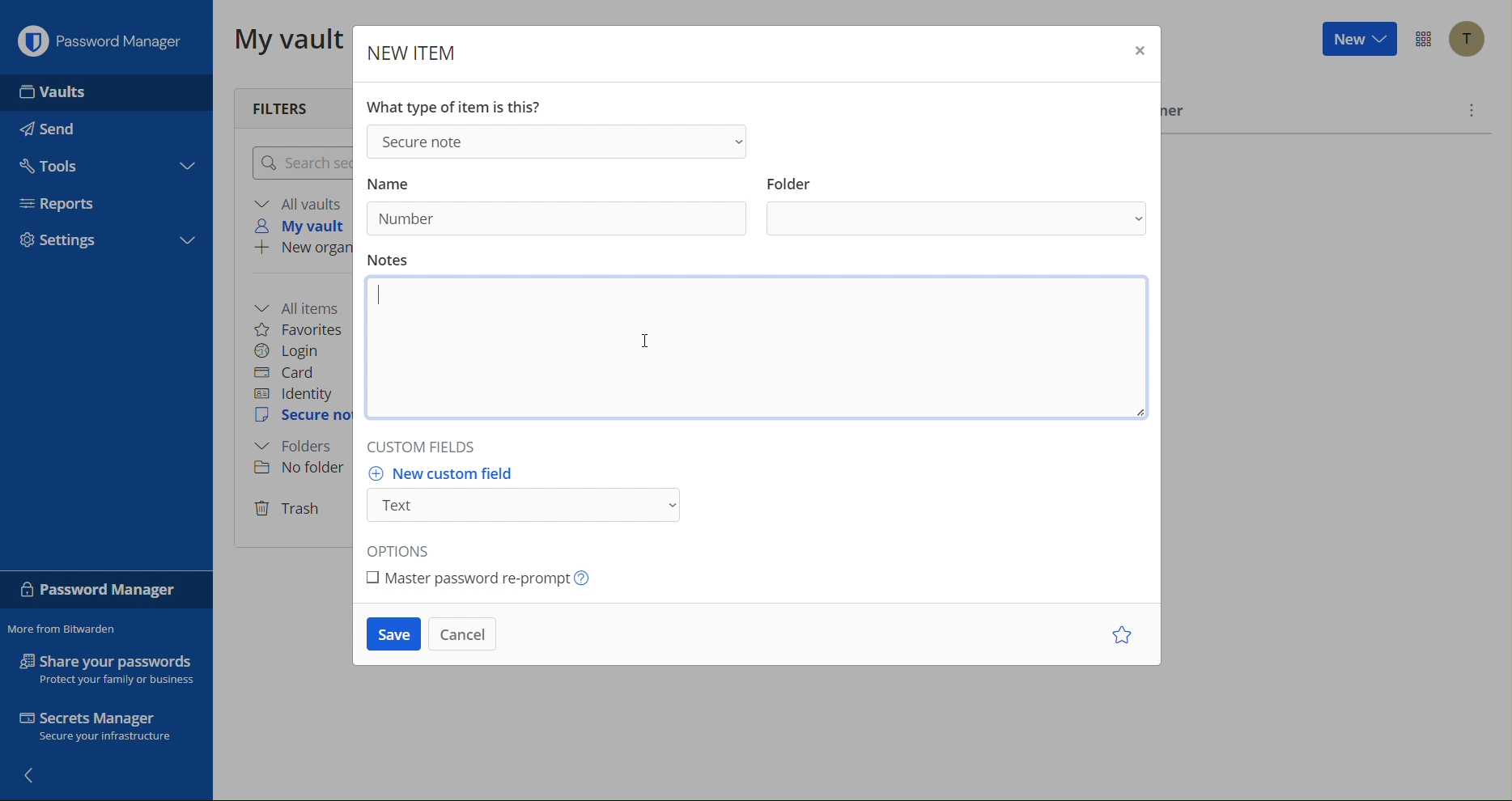 This screenshot has height=801, width=1512. I want to click on Vaults, so click(55, 91).